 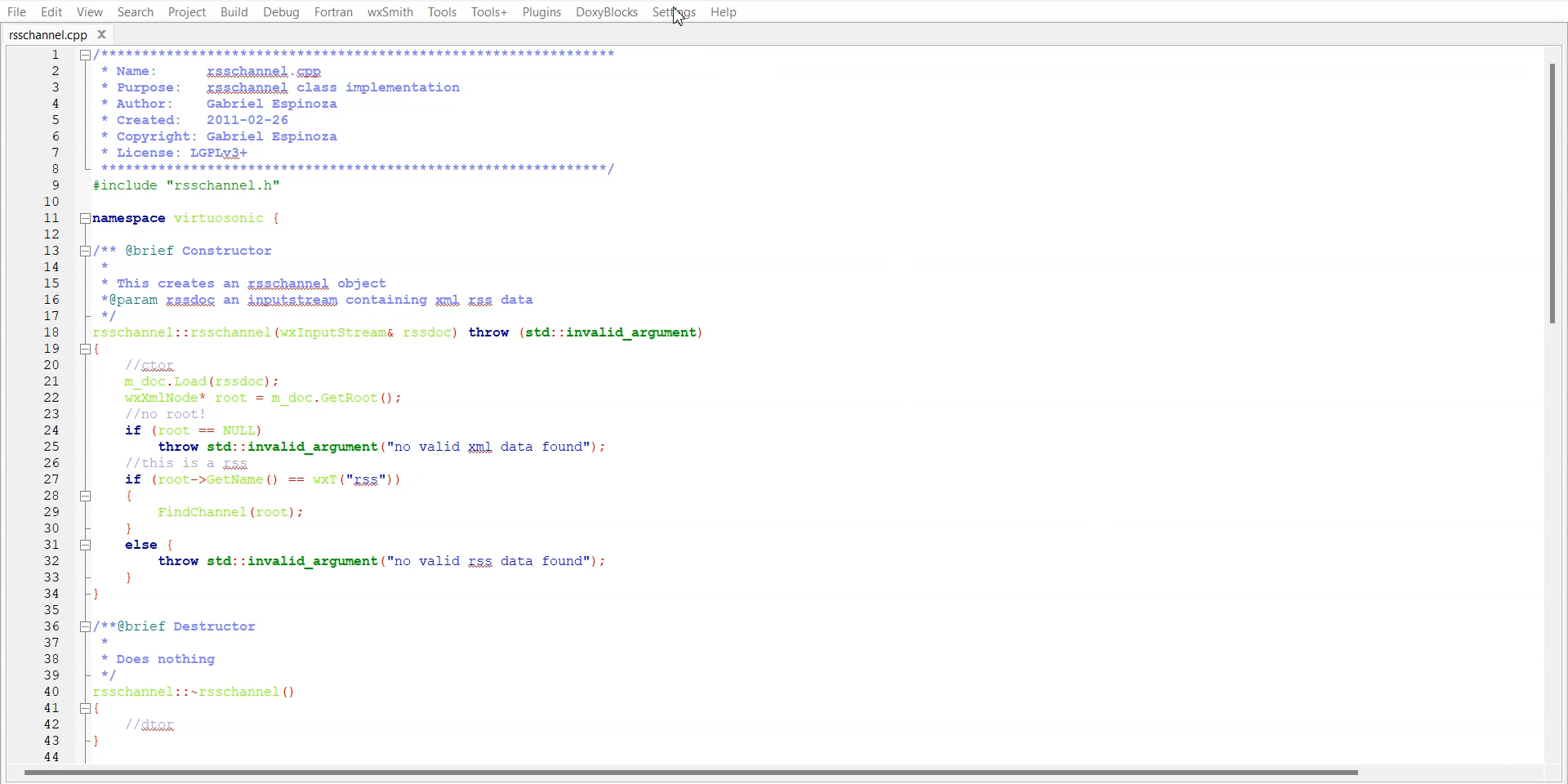 What do you see at coordinates (684, 17) in the screenshot?
I see `Cursor` at bounding box center [684, 17].